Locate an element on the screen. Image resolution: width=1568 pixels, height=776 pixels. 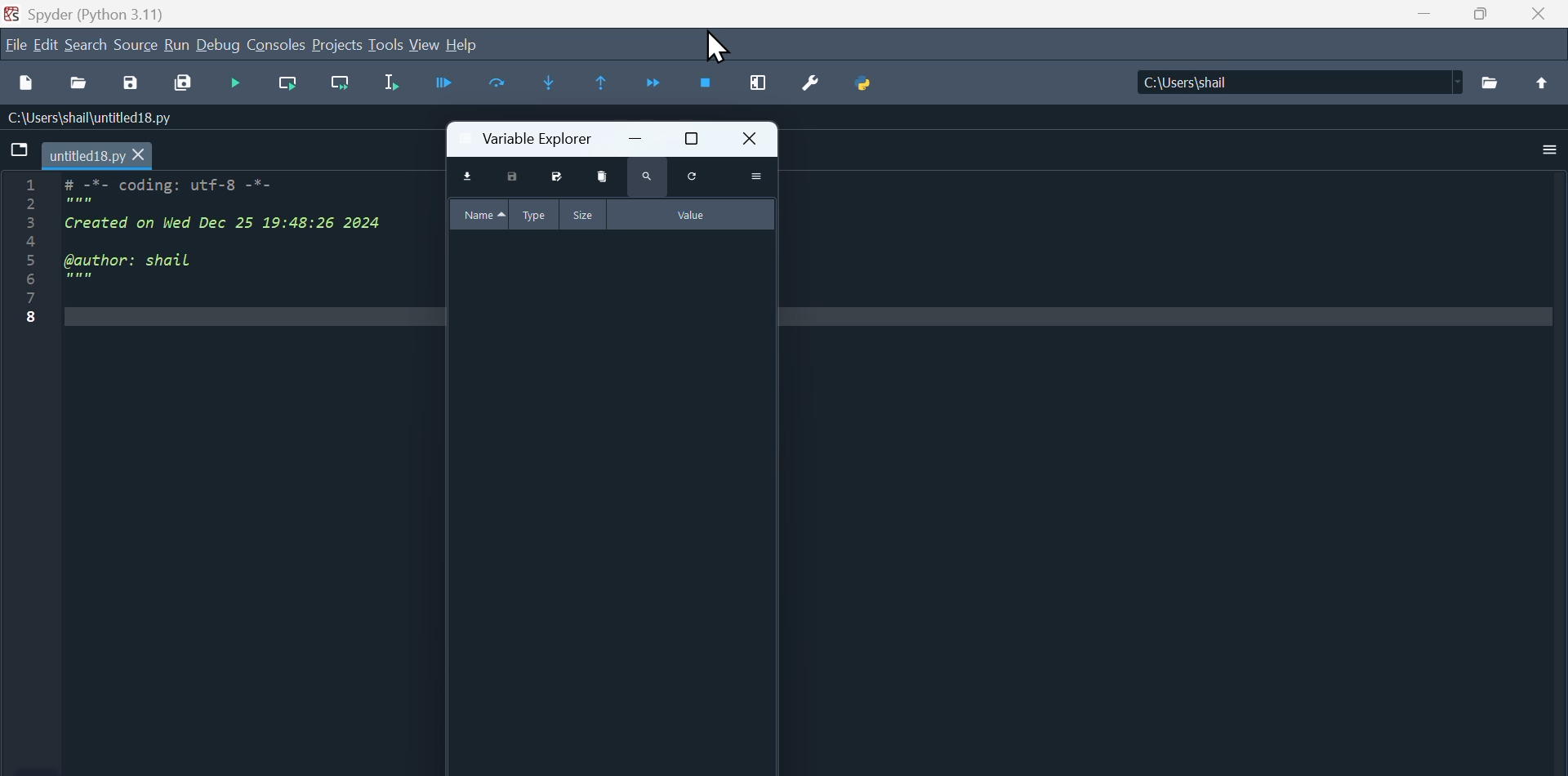
search is located at coordinates (86, 44).